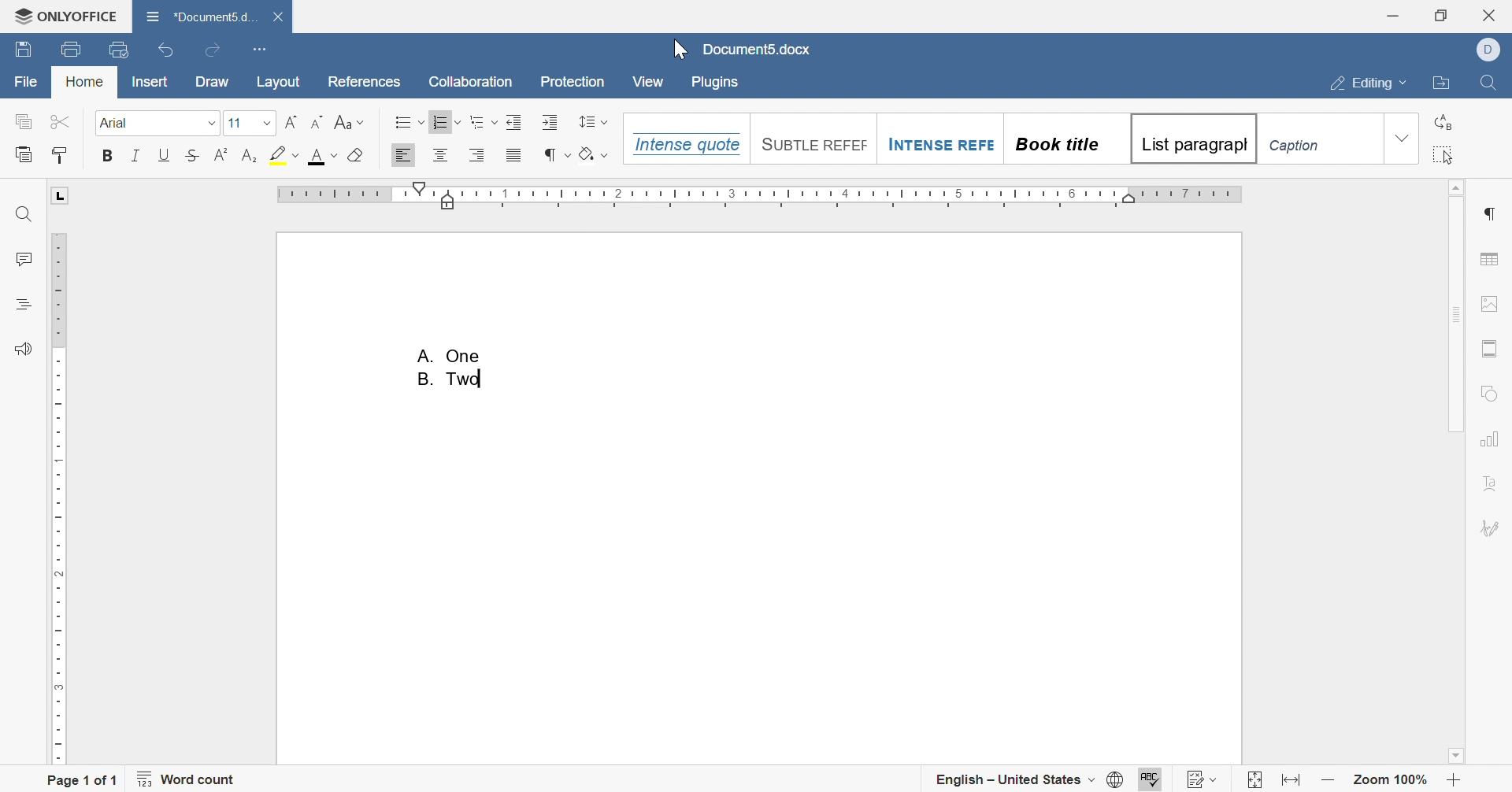 The image size is (1512, 792). Describe the element at coordinates (213, 50) in the screenshot. I see `redo` at that location.